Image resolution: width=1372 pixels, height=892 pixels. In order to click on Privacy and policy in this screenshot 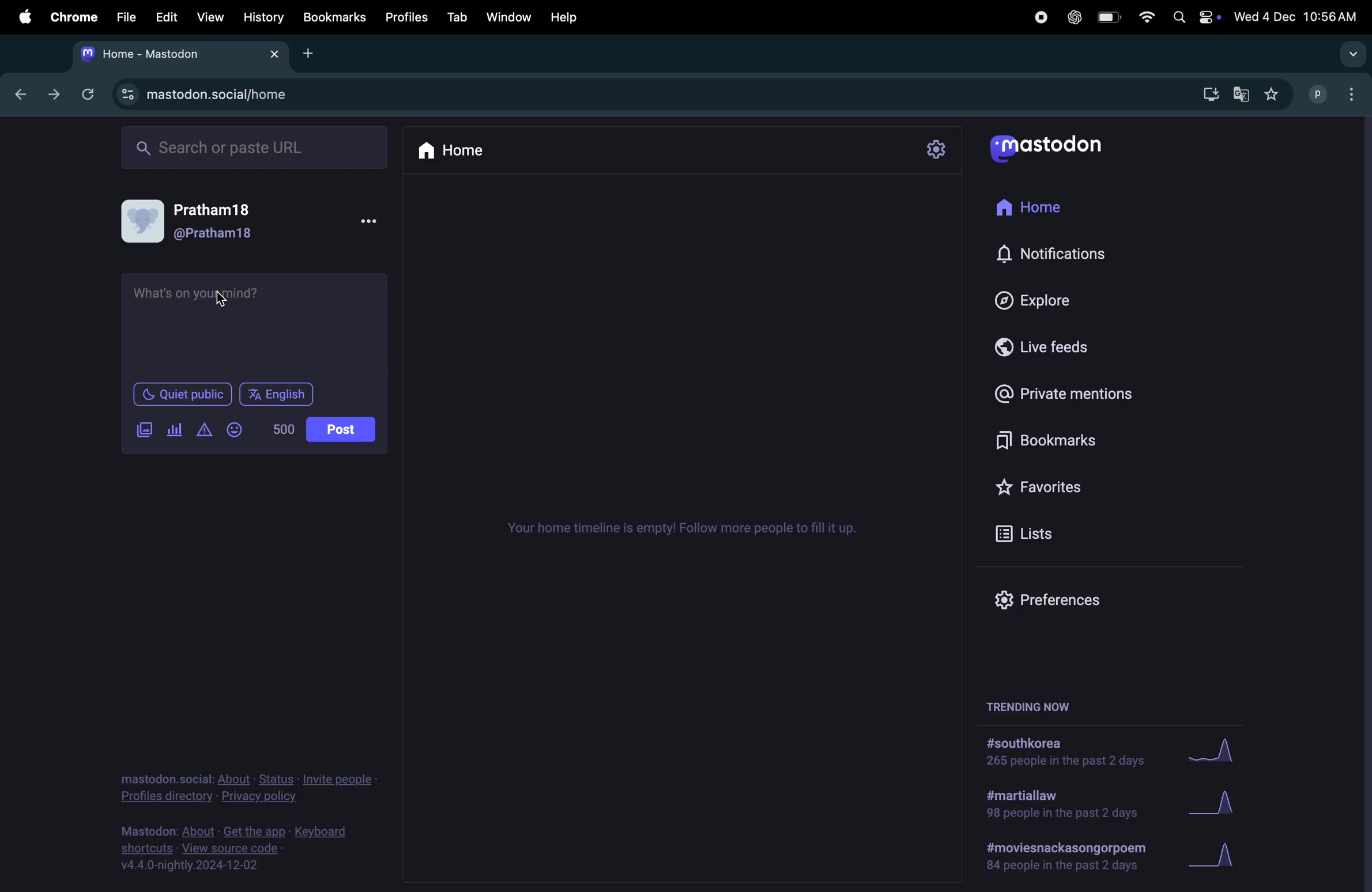, I will do `click(258, 788)`.